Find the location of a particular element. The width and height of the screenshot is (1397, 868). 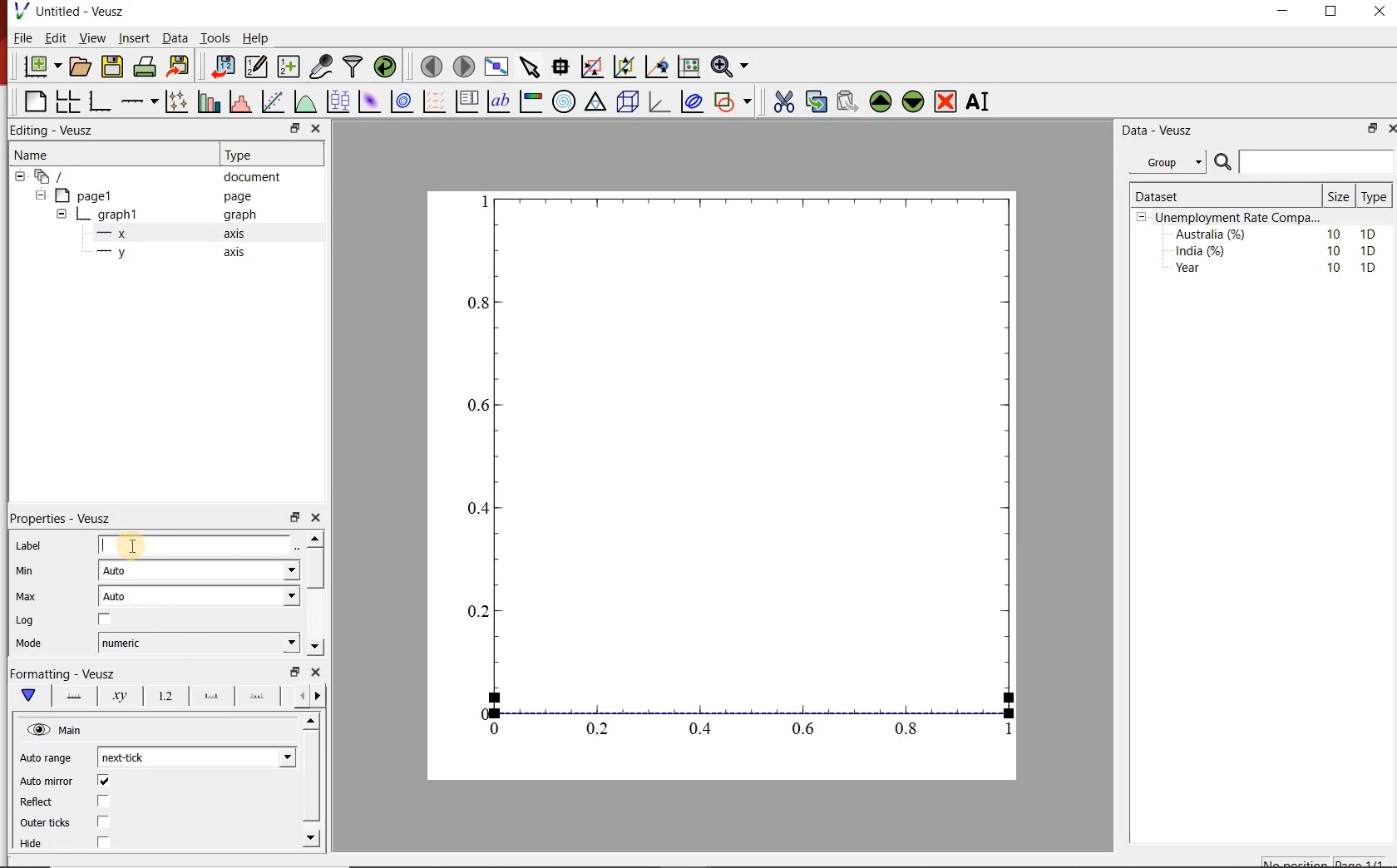

move to previous page is located at coordinates (432, 65).